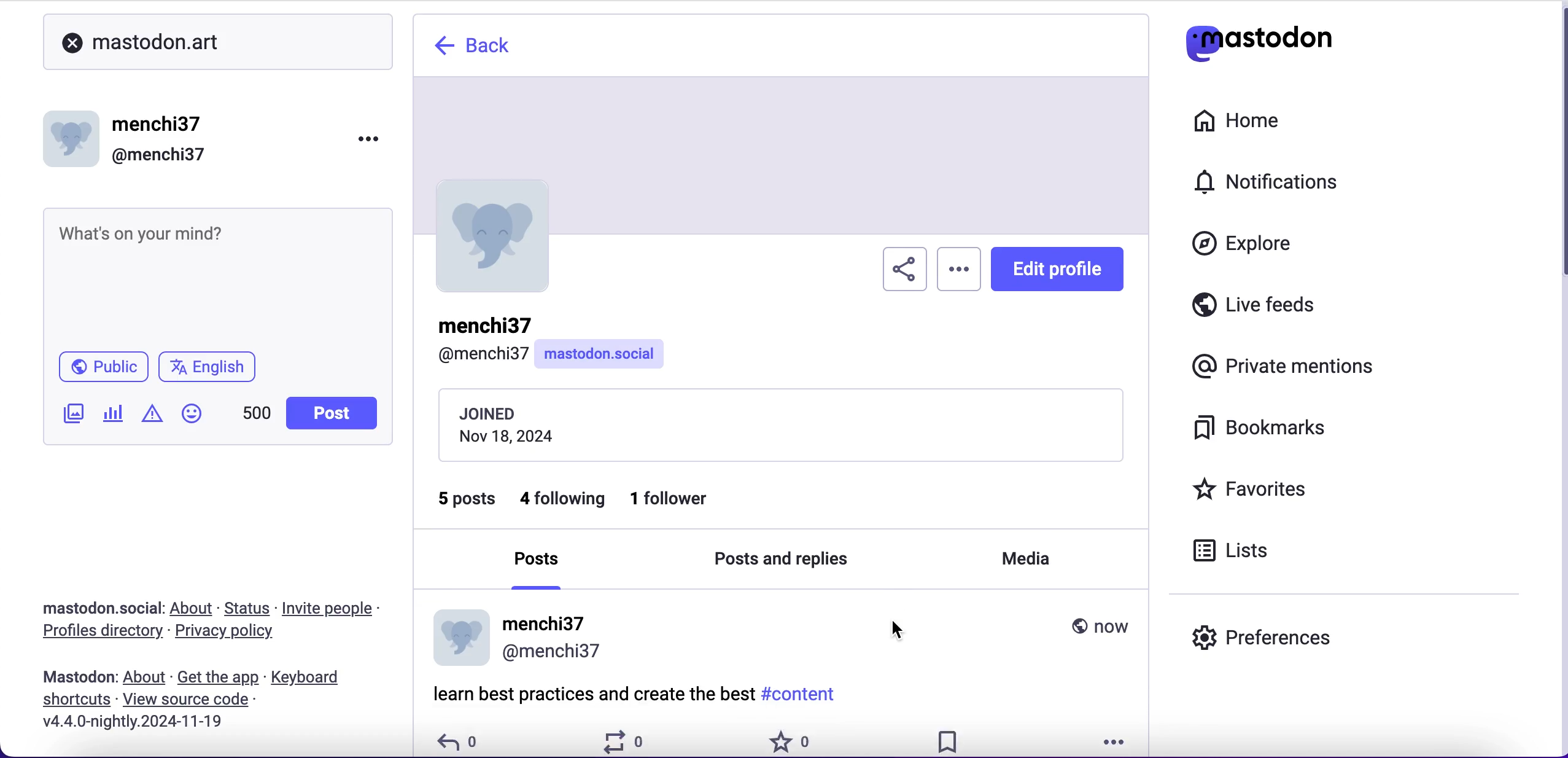 This screenshot has height=758, width=1568. I want to click on public, so click(105, 367).